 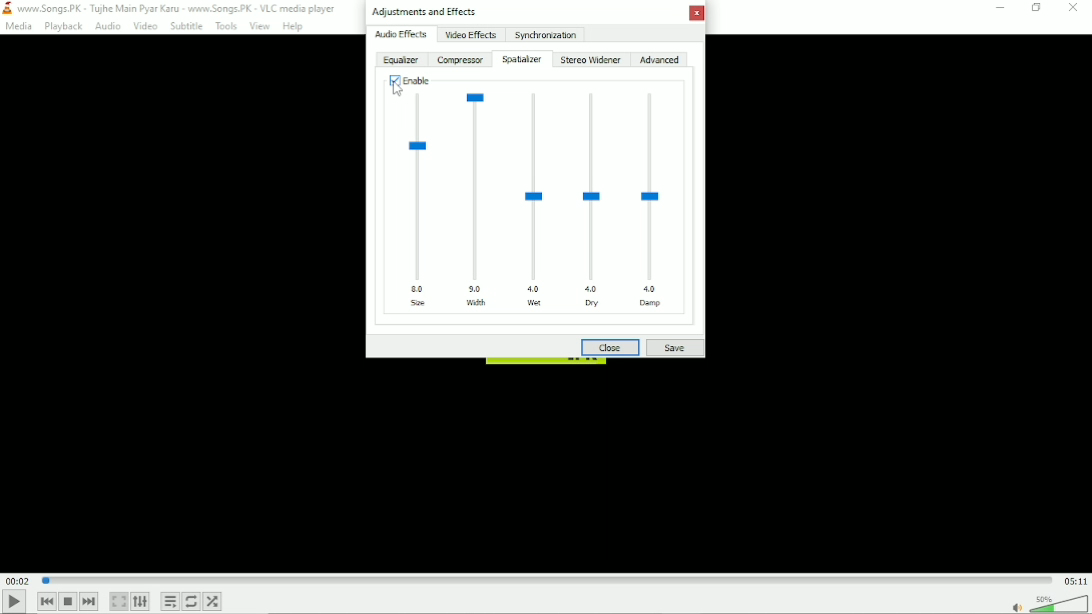 What do you see at coordinates (522, 59) in the screenshot?
I see `Spatializer` at bounding box center [522, 59].